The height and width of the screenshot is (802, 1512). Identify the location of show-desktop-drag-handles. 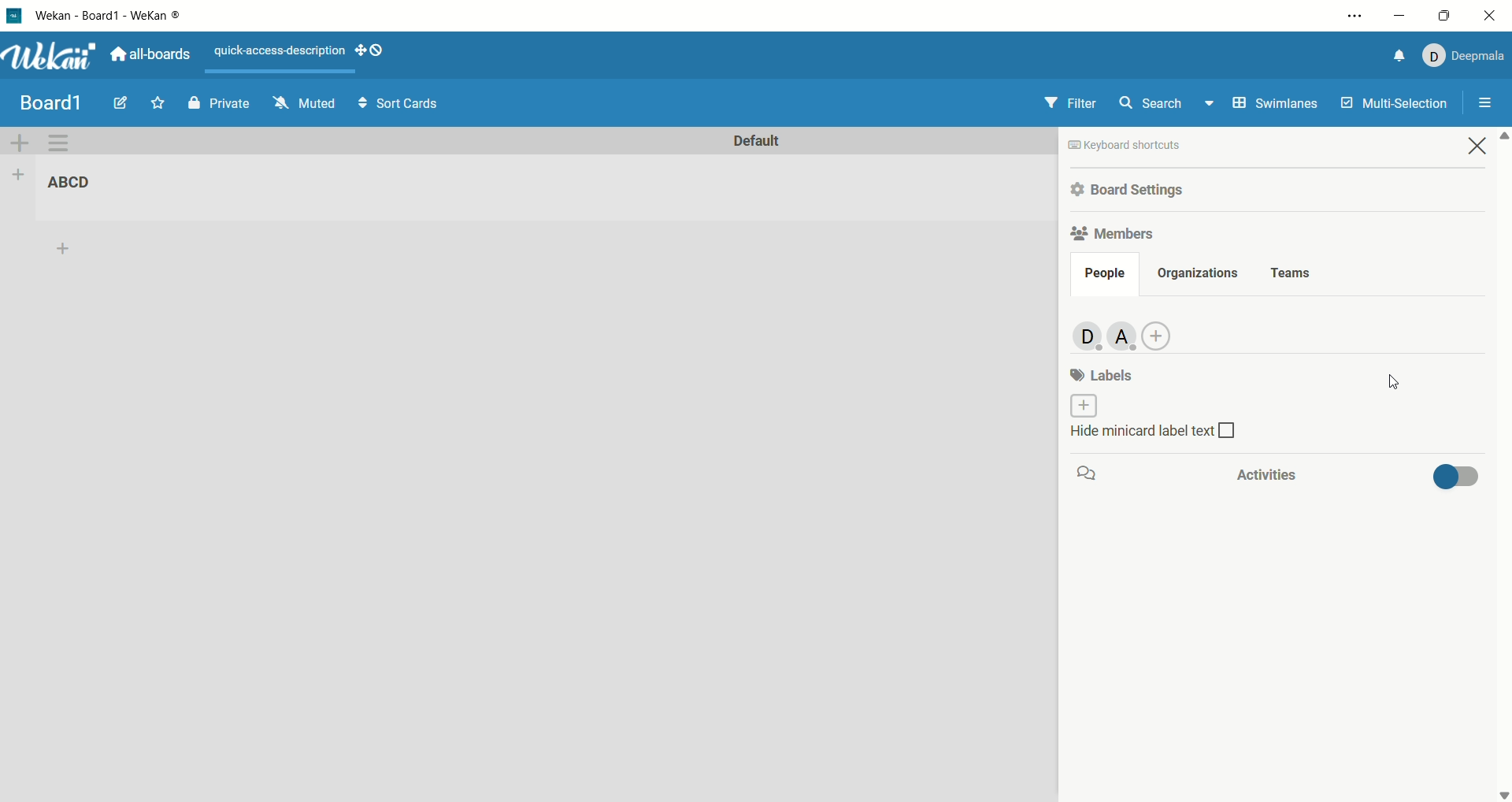
(361, 52).